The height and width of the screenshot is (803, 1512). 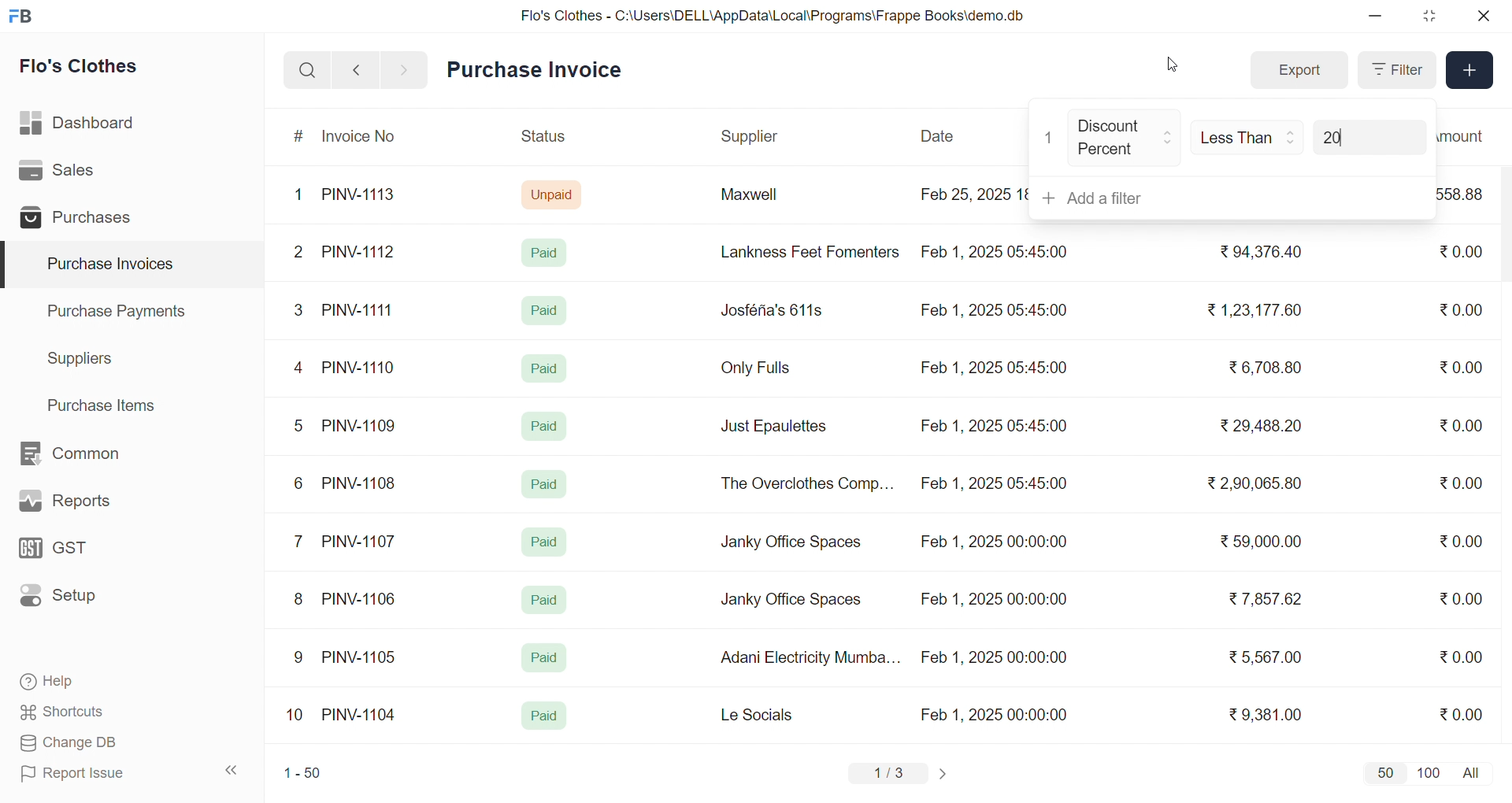 I want to click on ₹ 59,000.00, so click(x=1266, y=543).